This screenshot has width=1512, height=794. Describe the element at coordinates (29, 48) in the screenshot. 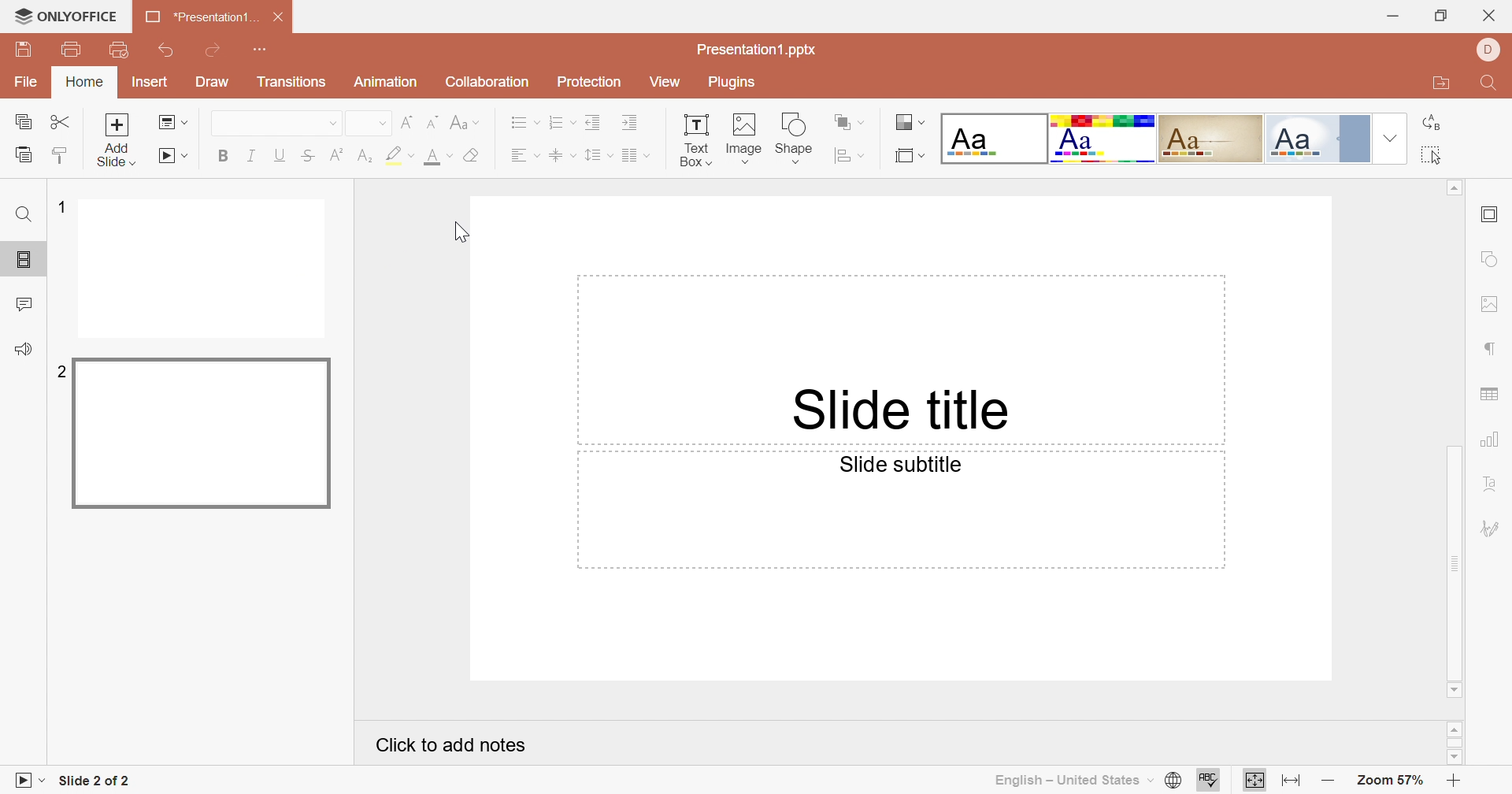

I see `Save` at that location.